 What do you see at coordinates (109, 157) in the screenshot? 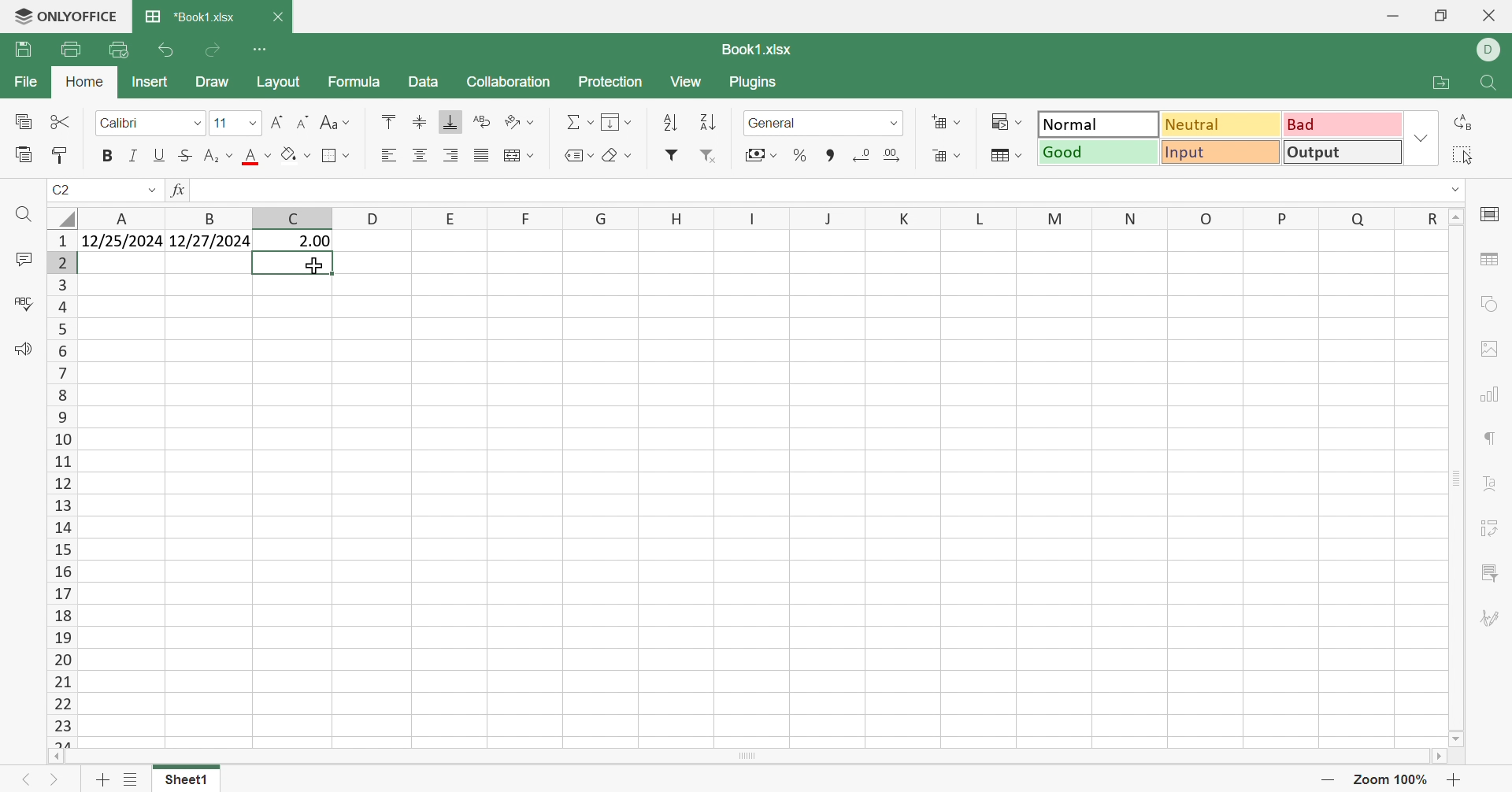
I see `Bold` at bounding box center [109, 157].